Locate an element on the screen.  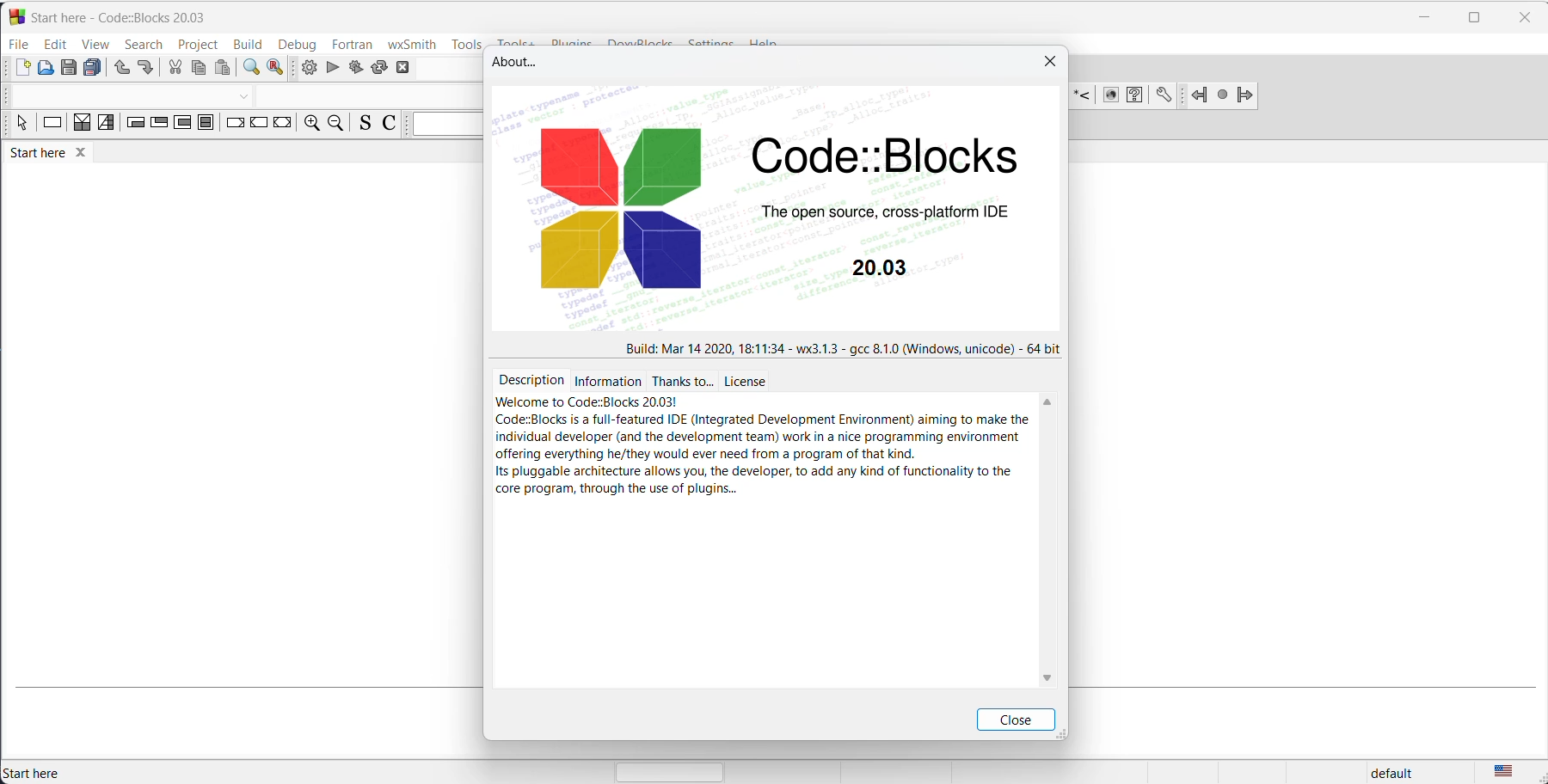
jump forward is located at coordinates (1247, 97).